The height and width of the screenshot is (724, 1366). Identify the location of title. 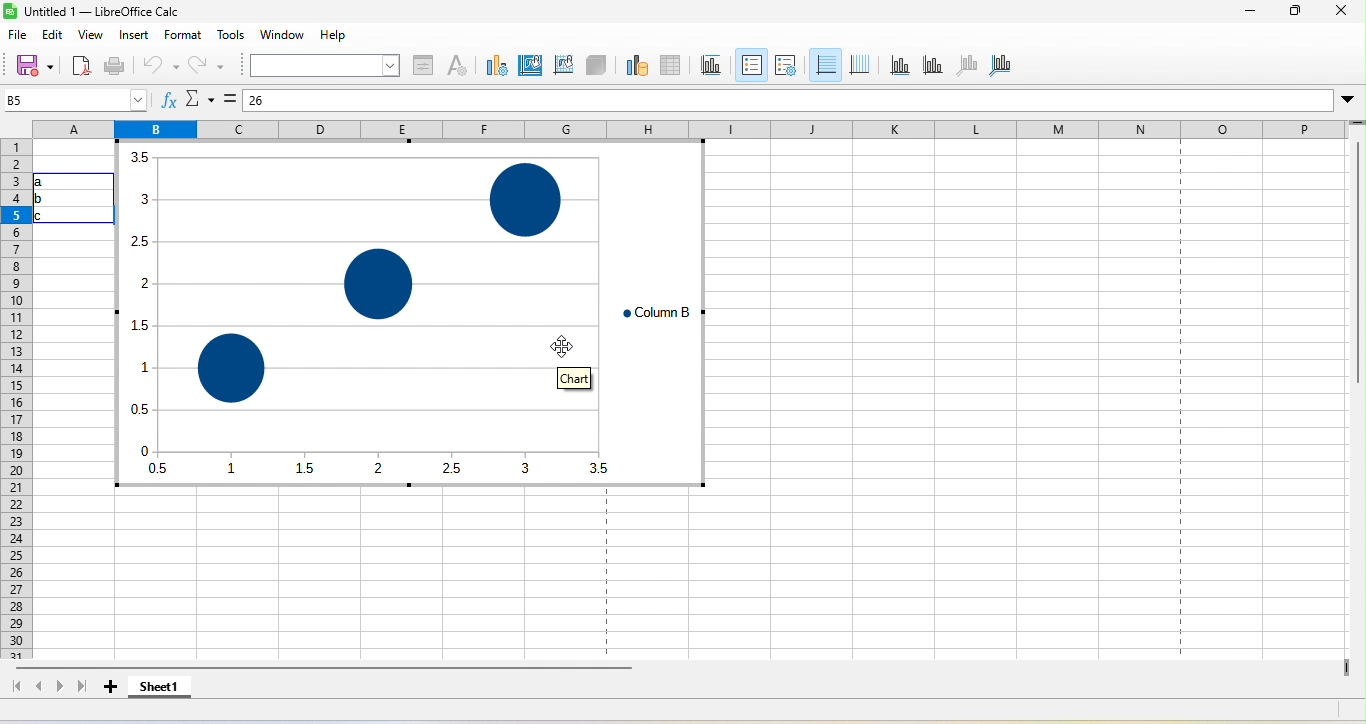
(96, 12).